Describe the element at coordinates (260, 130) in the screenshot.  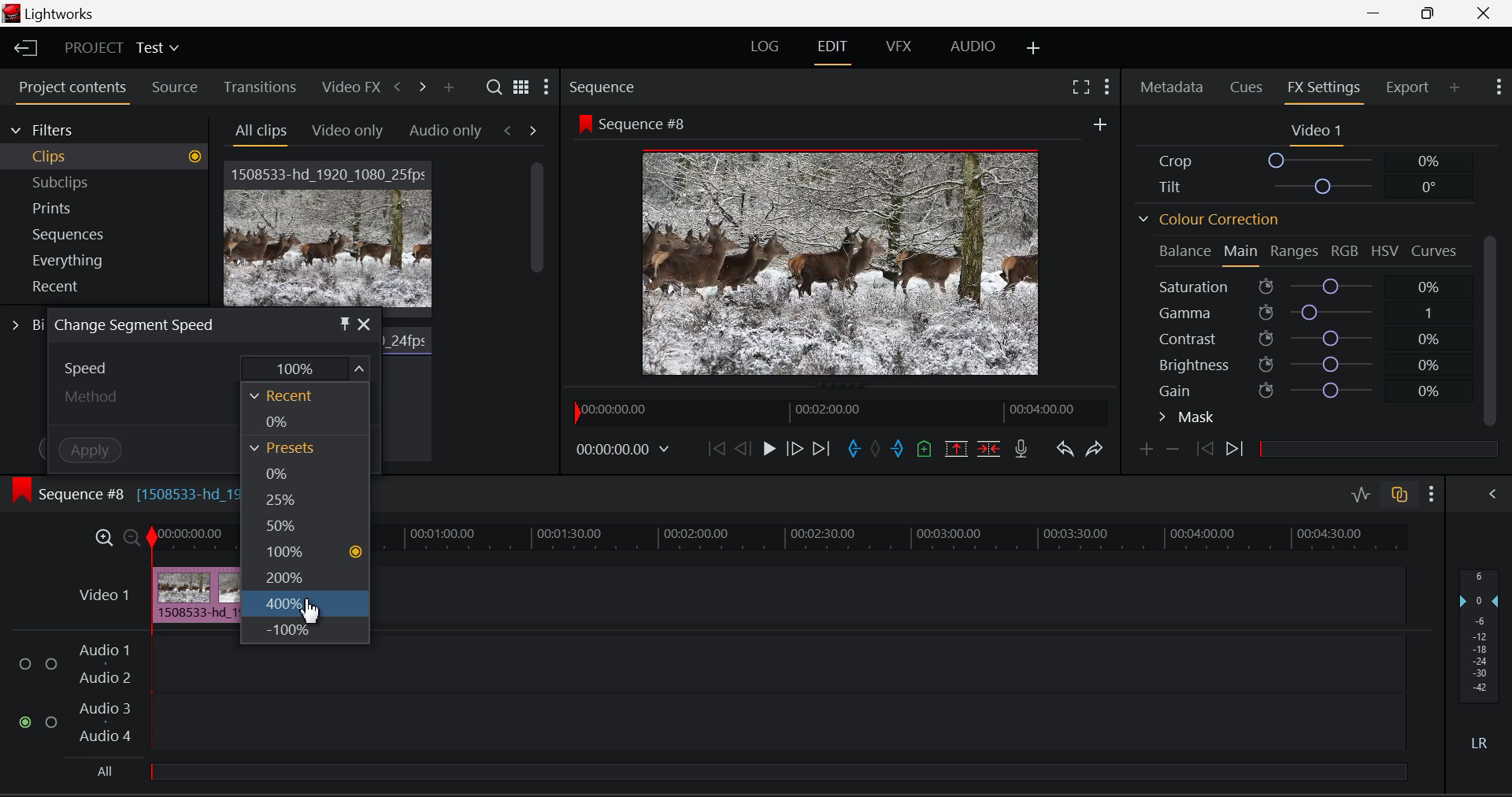
I see `All Clips` at that location.